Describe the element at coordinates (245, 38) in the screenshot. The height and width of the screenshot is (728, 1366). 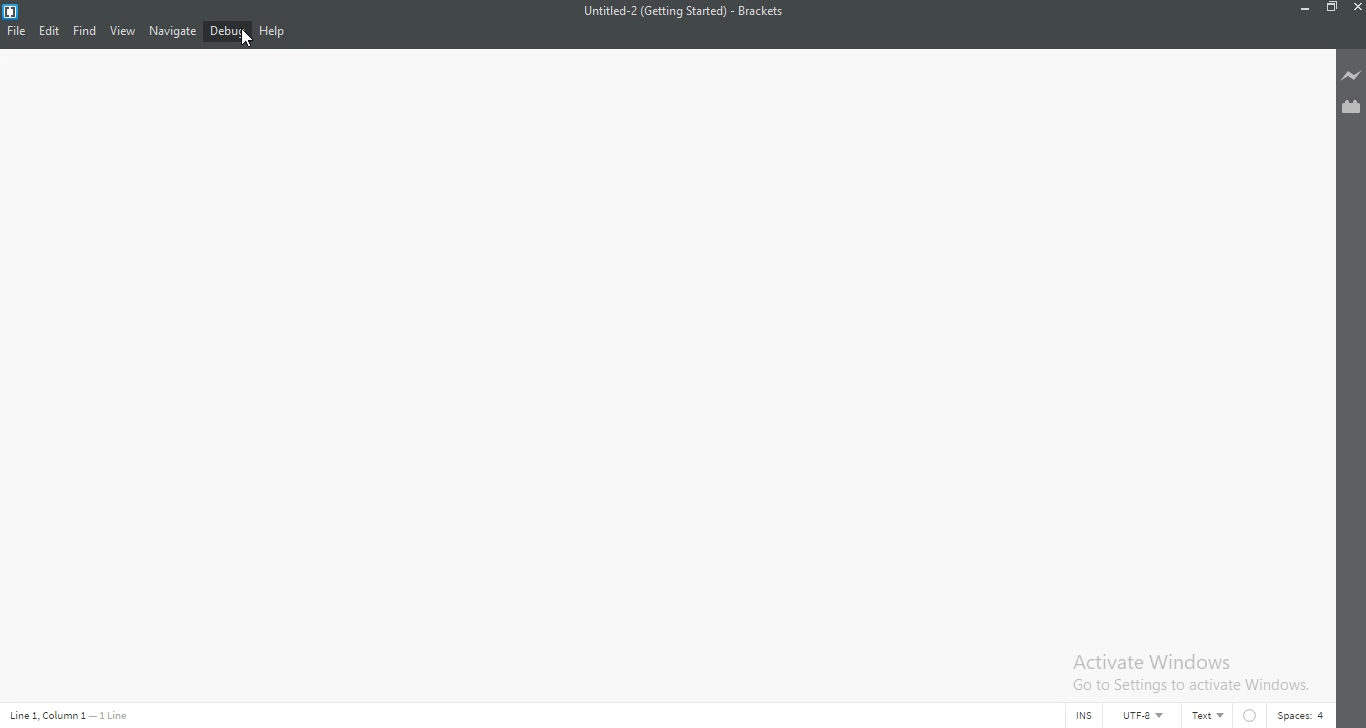
I see `Cursor` at that location.